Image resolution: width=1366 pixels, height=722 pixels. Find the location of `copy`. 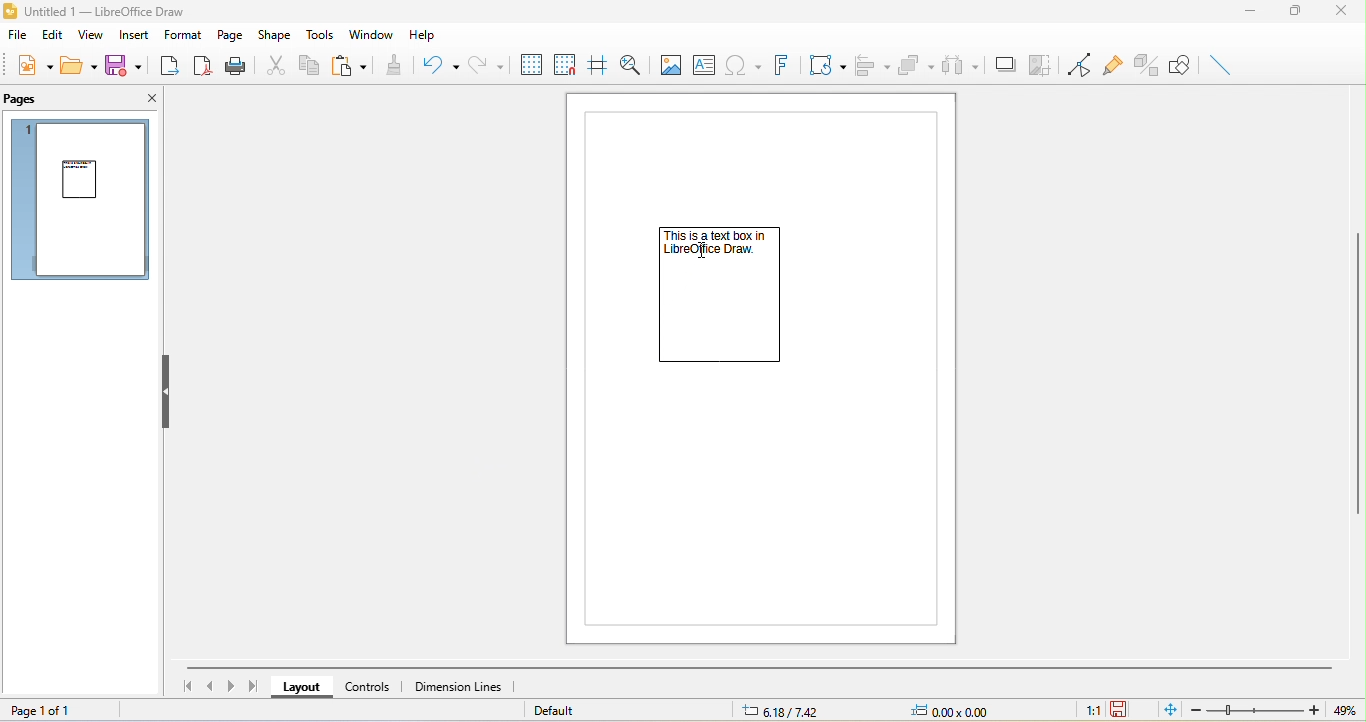

copy is located at coordinates (312, 68).